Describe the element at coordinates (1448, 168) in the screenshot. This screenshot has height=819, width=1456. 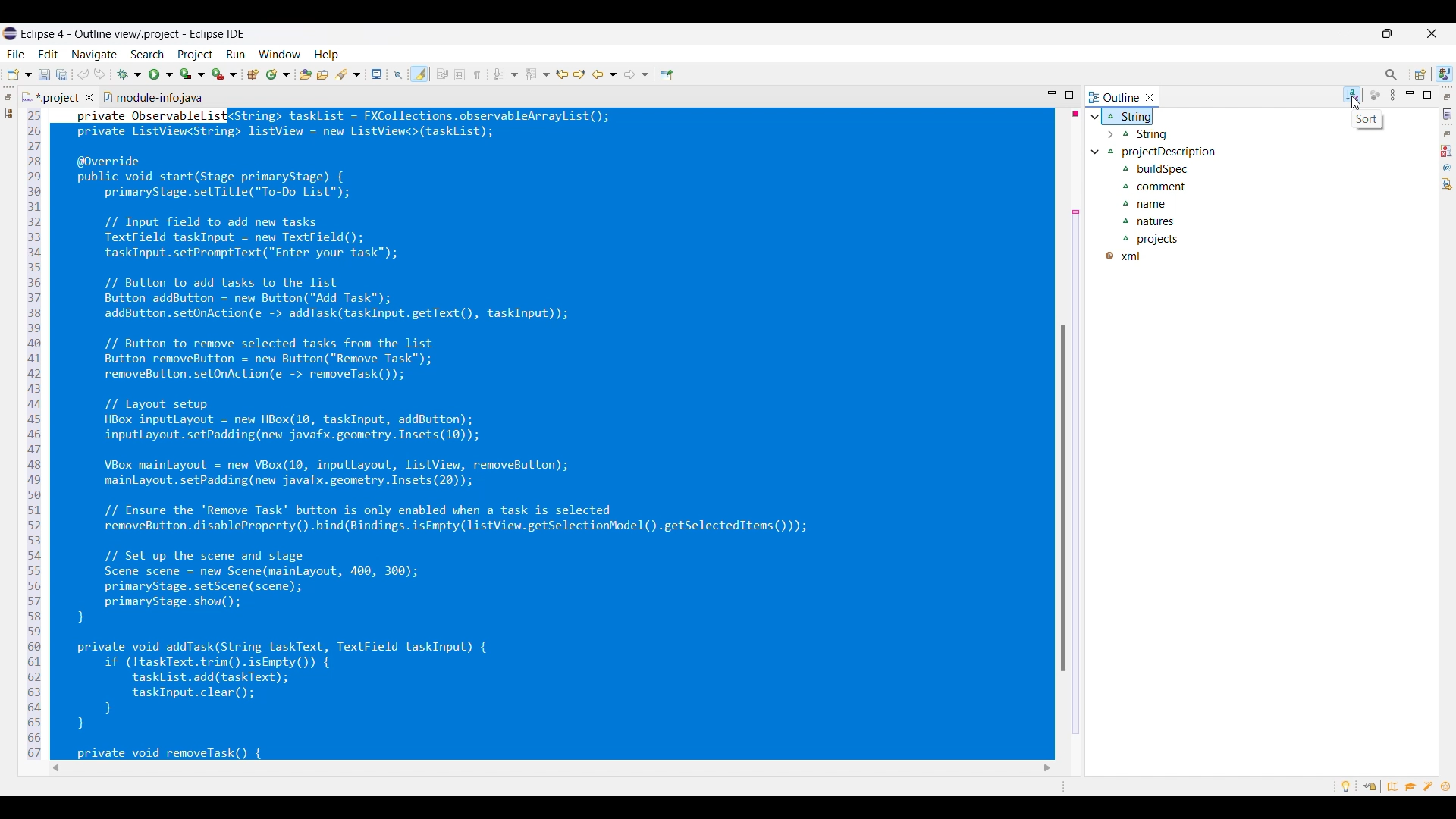
I see `Javadoc` at that location.